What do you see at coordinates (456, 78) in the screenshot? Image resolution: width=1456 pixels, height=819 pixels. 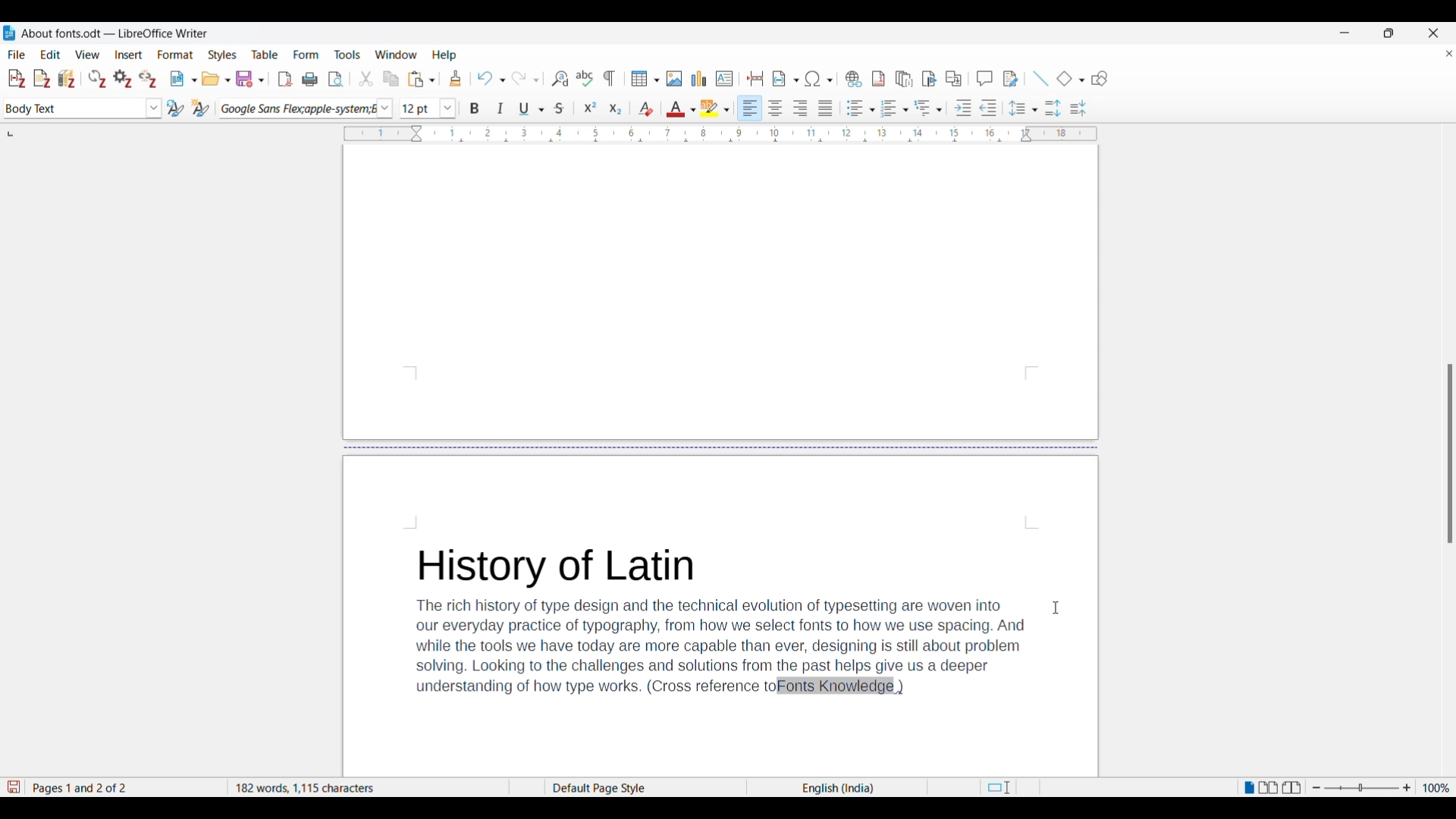 I see `Clone formatting` at bounding box center [456, 78].